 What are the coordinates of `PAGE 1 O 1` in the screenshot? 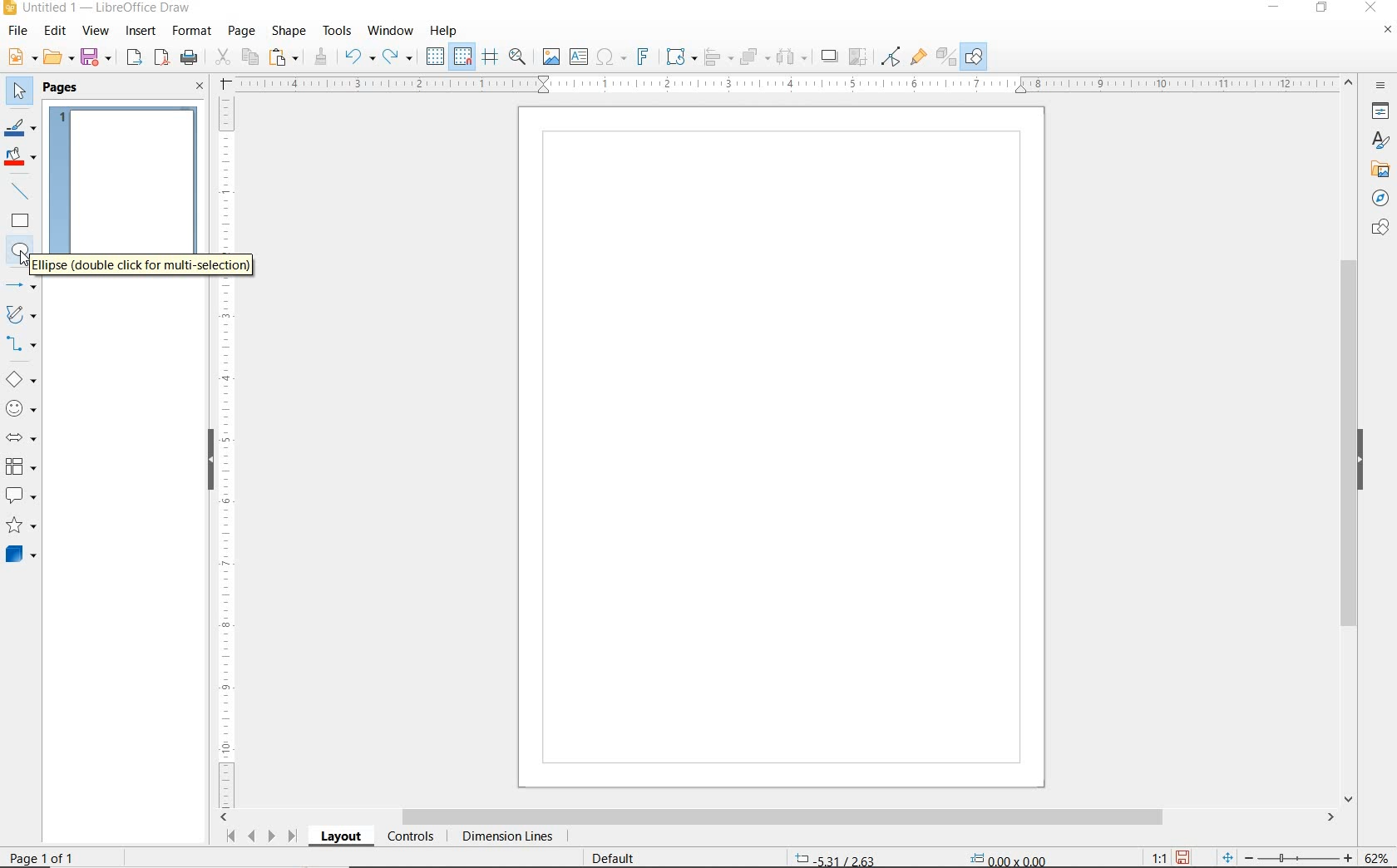 It's located at (54, 851).